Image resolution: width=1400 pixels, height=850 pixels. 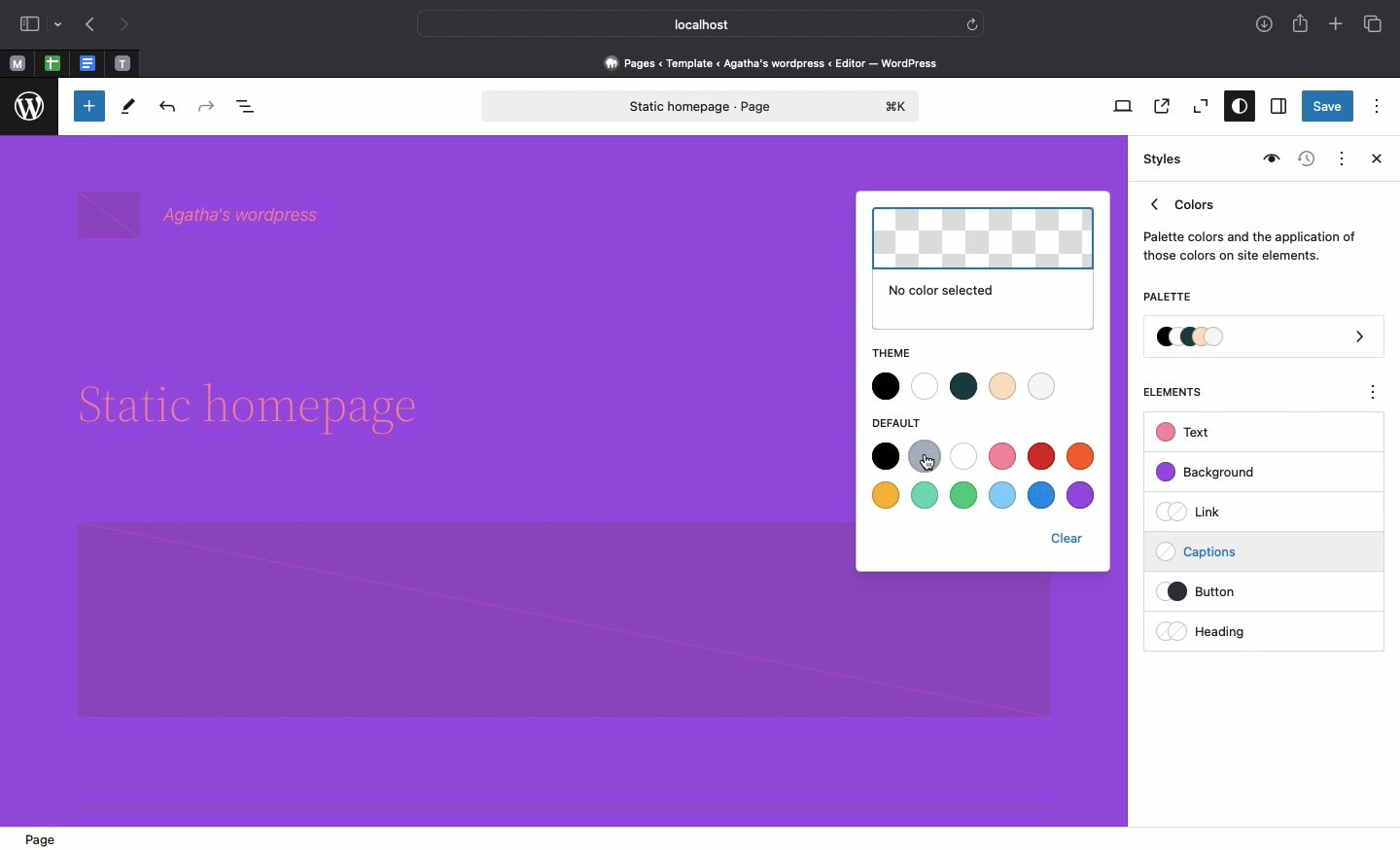 I want to click on Close, so click(x=1373, y=160).